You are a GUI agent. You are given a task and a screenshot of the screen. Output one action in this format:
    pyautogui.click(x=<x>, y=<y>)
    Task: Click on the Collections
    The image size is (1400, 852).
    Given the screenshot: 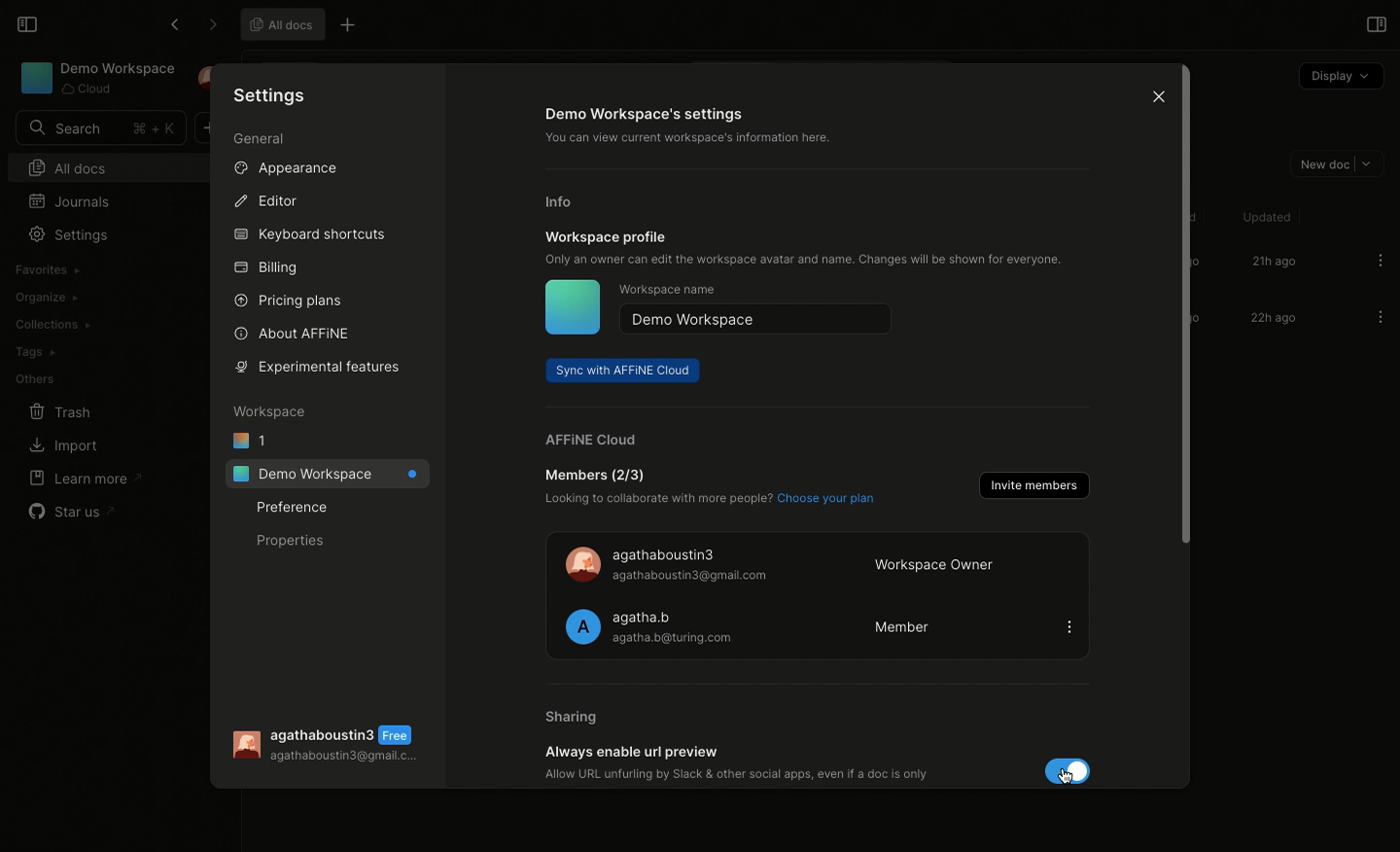 What is the action you would take?
    pyautogui.click(x=52, y=325)
    